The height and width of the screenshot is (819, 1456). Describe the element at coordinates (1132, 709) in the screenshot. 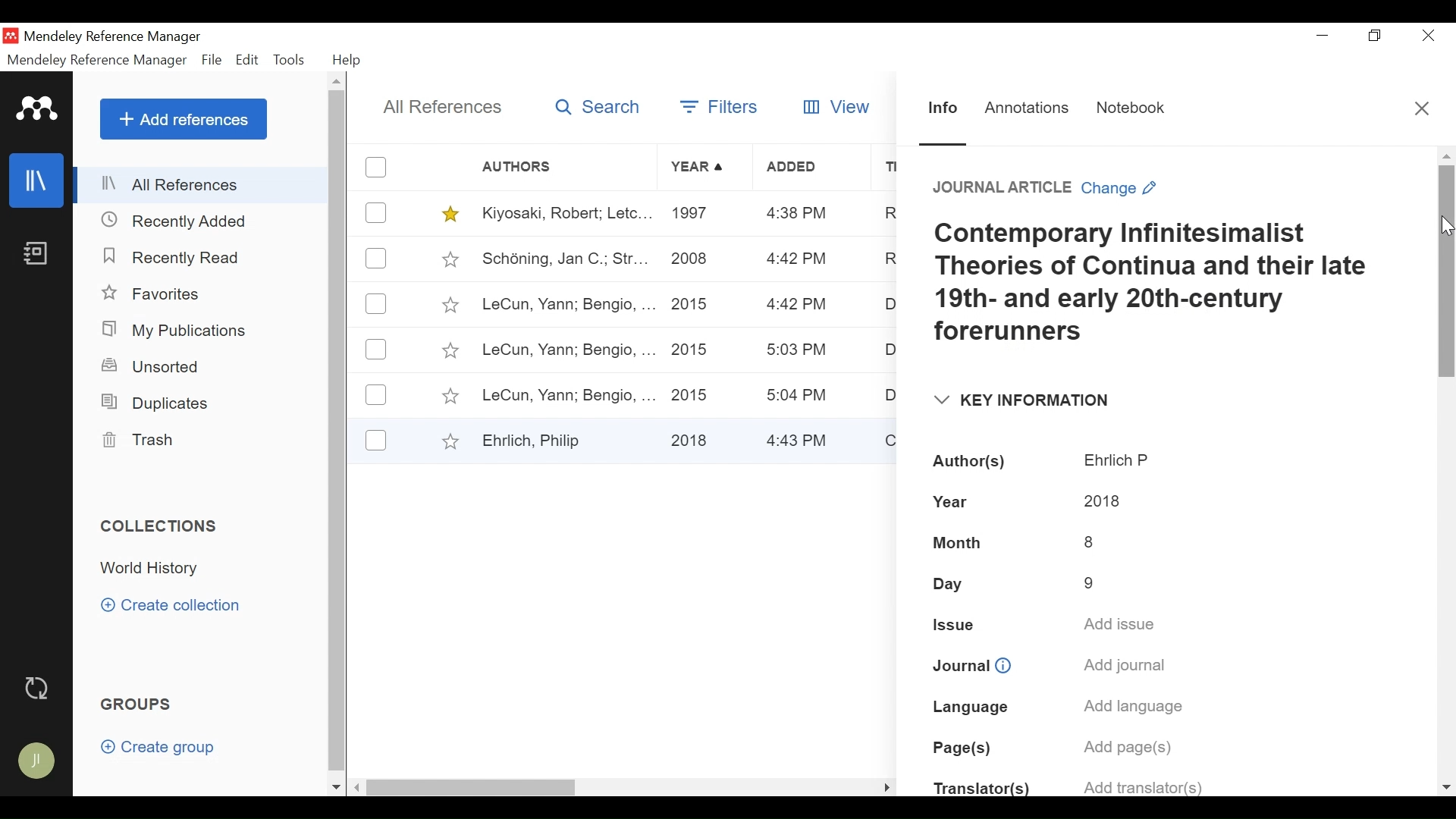

I see `Add language` at that location.